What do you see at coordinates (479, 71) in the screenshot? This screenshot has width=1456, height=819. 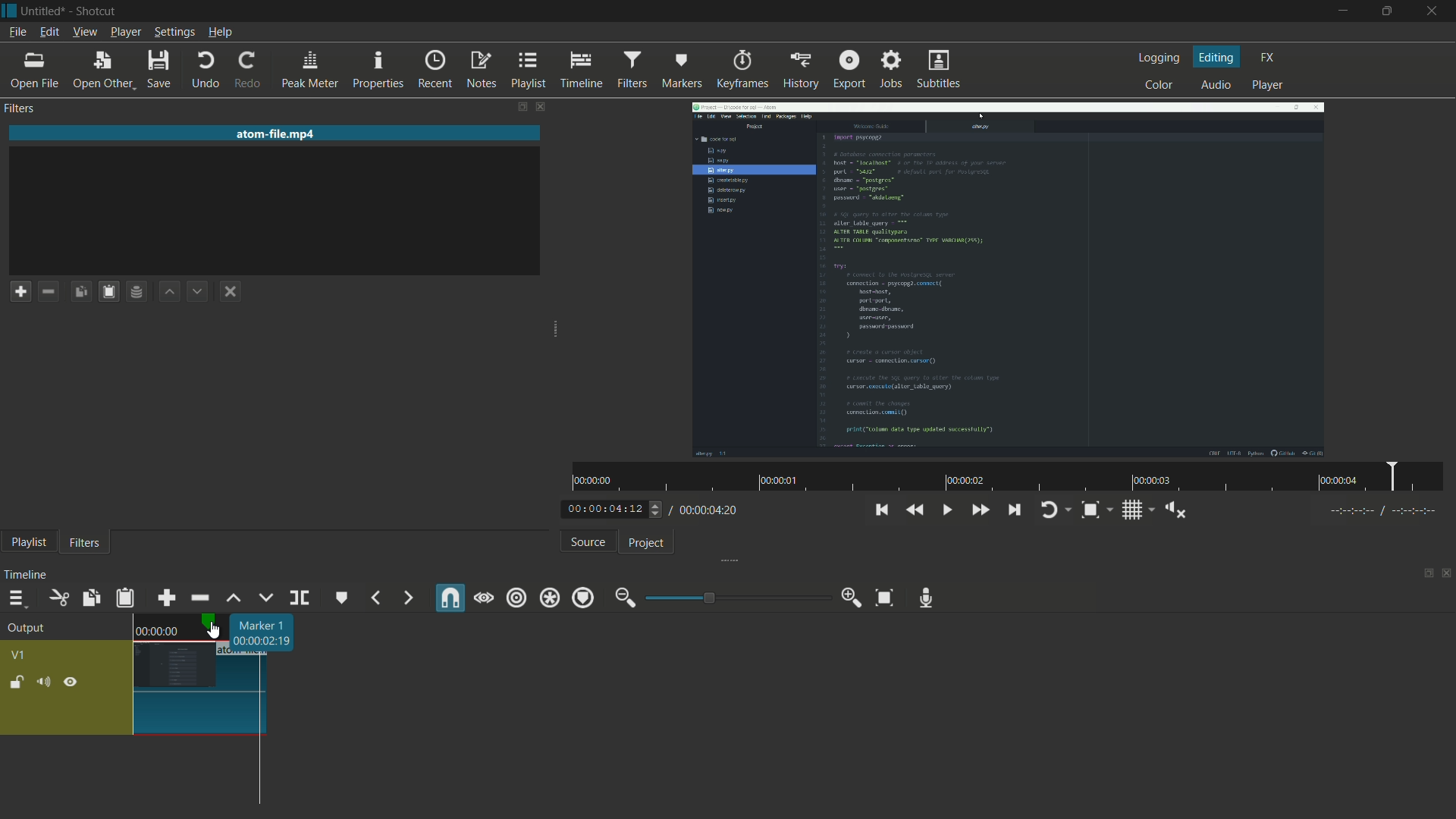 I see `notes` at bounding box center [479, 71].